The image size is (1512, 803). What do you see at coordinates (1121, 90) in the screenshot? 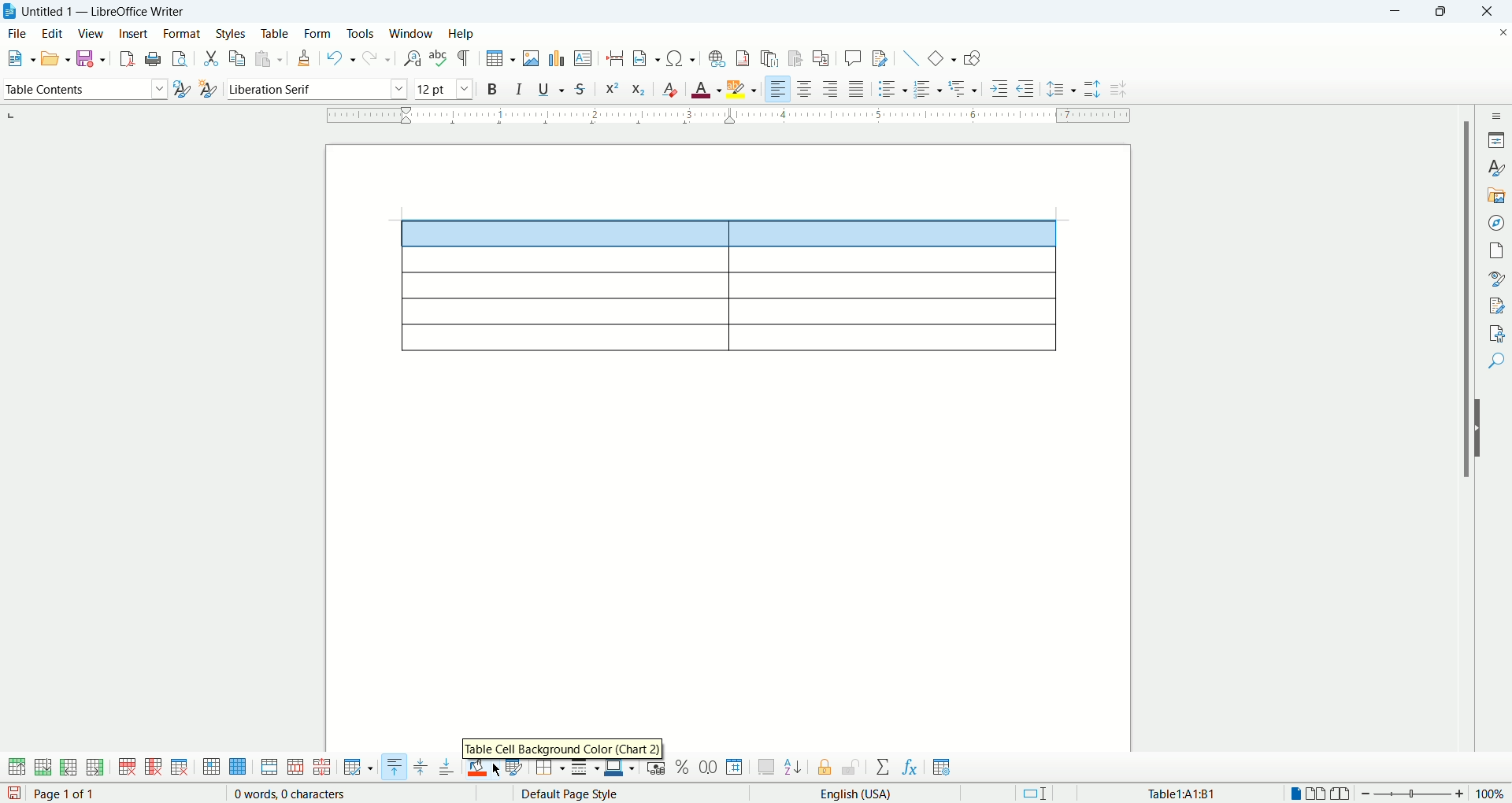
I see `decrease paragraph spacing` at bounding box center [1121, 90].